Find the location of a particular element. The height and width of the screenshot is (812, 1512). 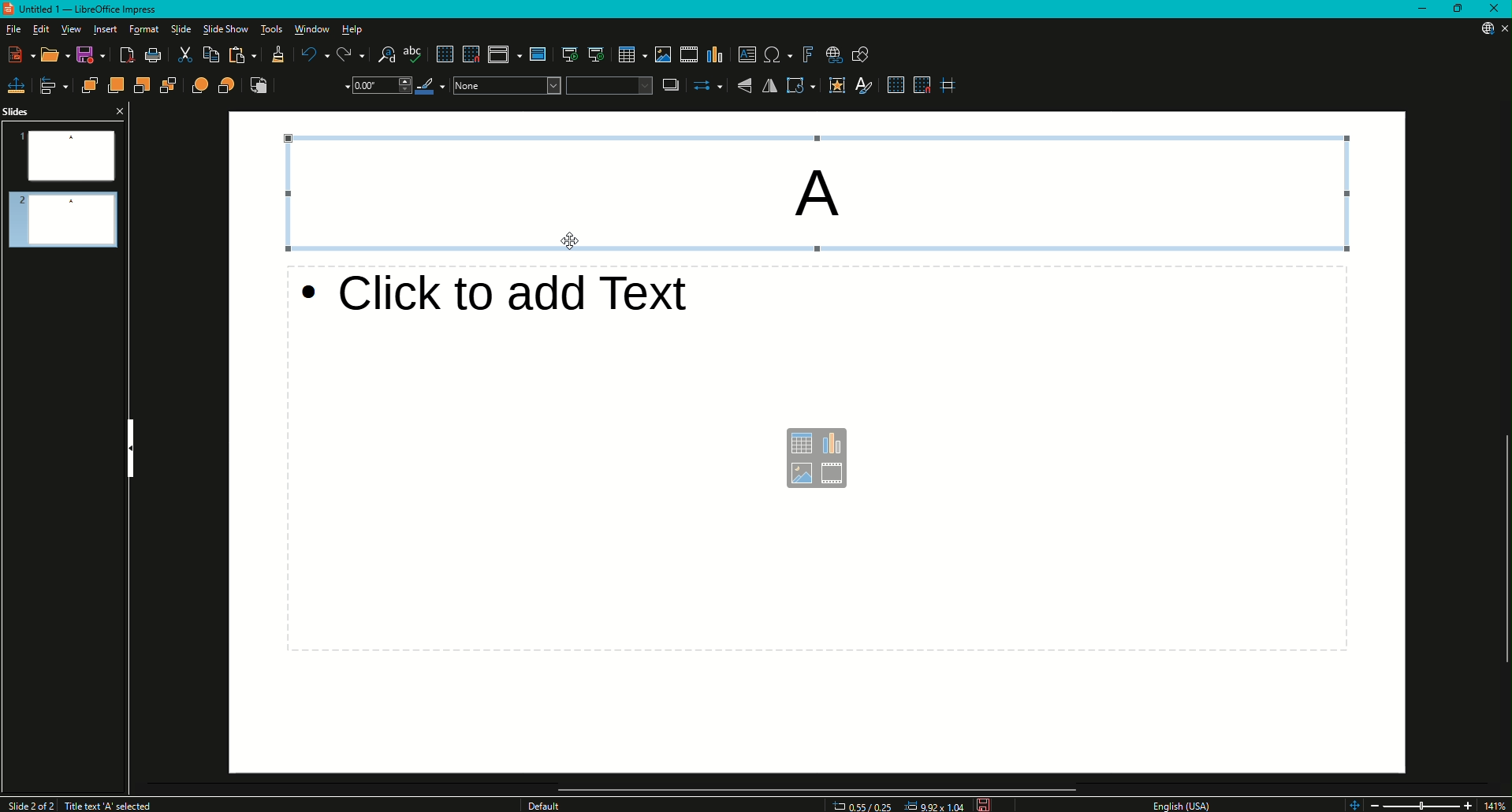

New is located at coordinates (18, 55).